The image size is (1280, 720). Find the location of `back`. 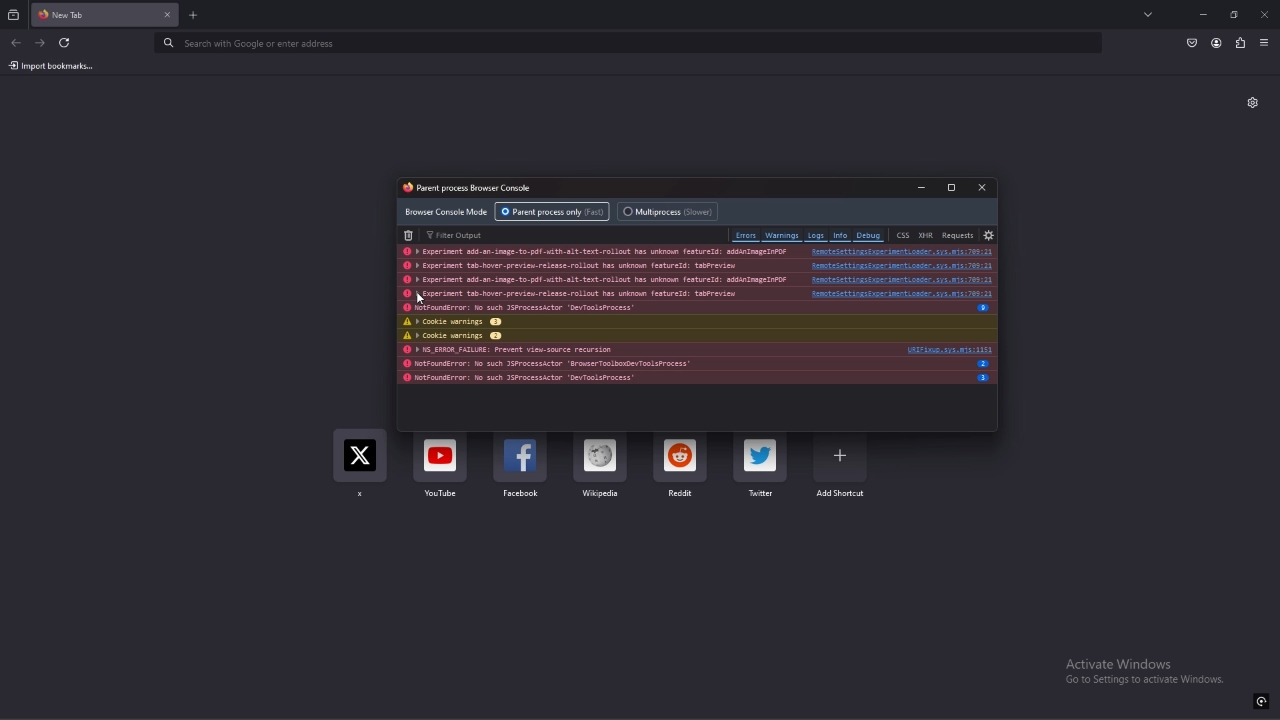

back is located at coordinates (17, 41).